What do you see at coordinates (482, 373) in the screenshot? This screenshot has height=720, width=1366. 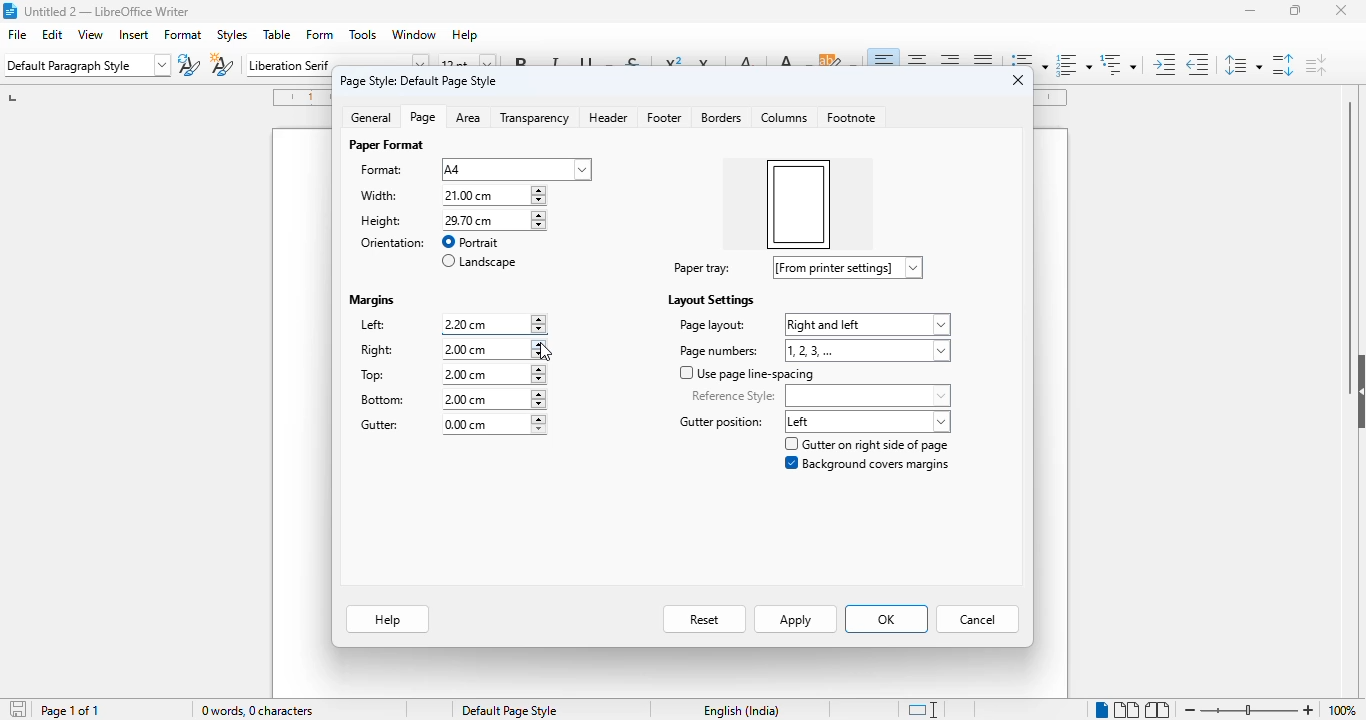 I see `top margin input box` at bounding box center [482, 373].